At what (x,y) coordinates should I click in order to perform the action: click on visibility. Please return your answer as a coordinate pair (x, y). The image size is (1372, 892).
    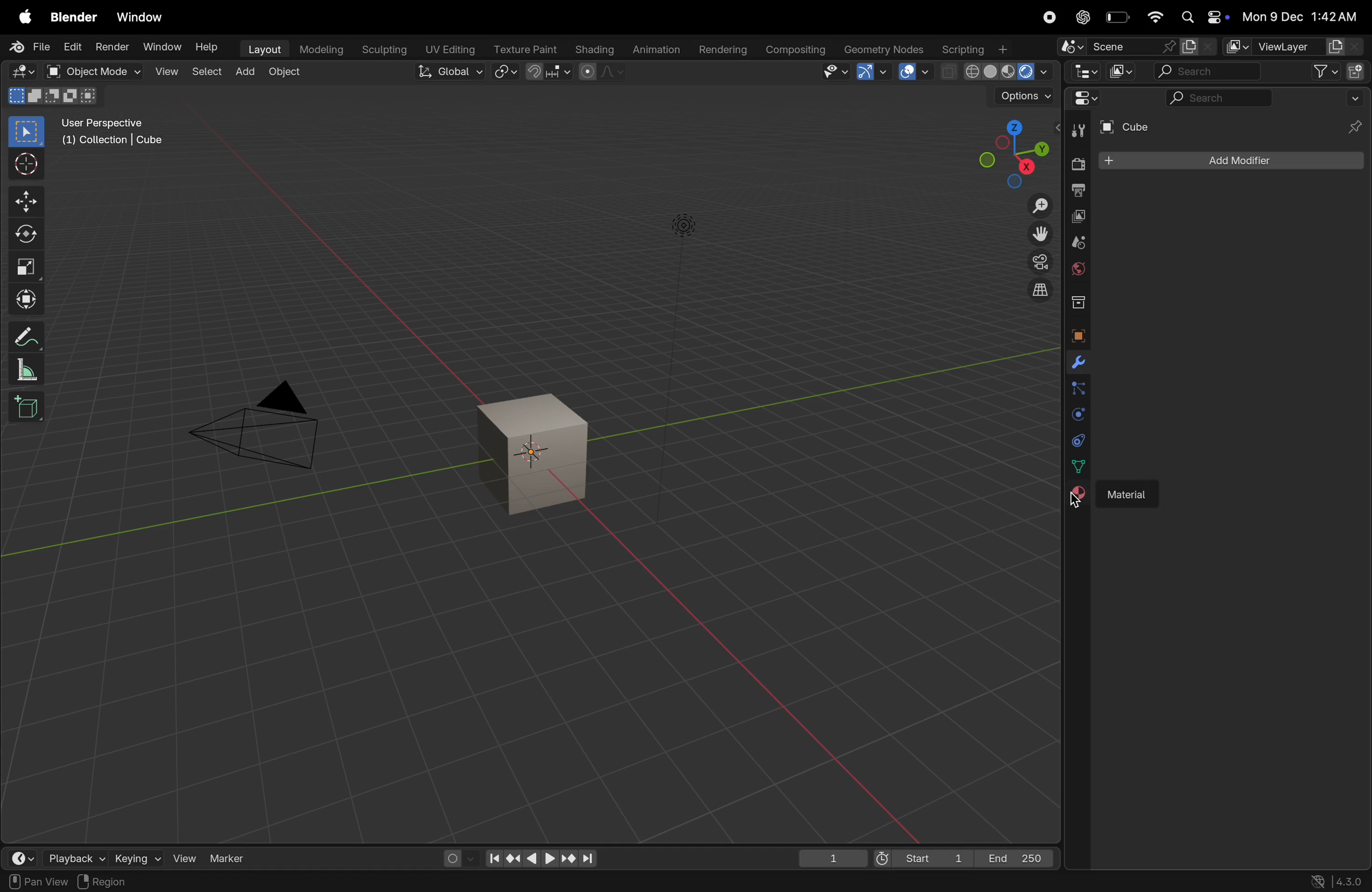
    Looking at the image, I should click on (835, 71).